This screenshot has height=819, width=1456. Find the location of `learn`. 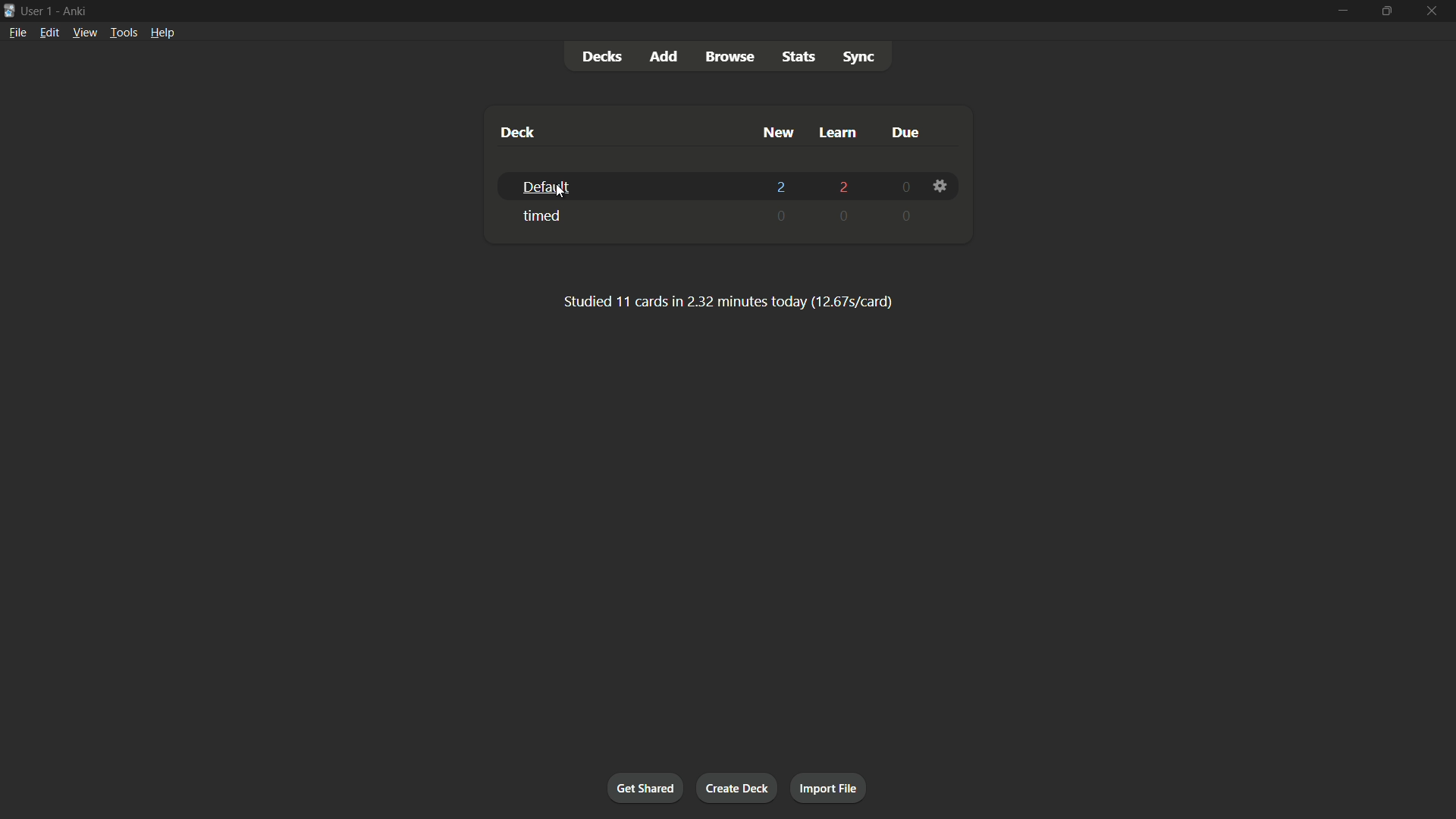

learn is located at coordinates (838, 132).